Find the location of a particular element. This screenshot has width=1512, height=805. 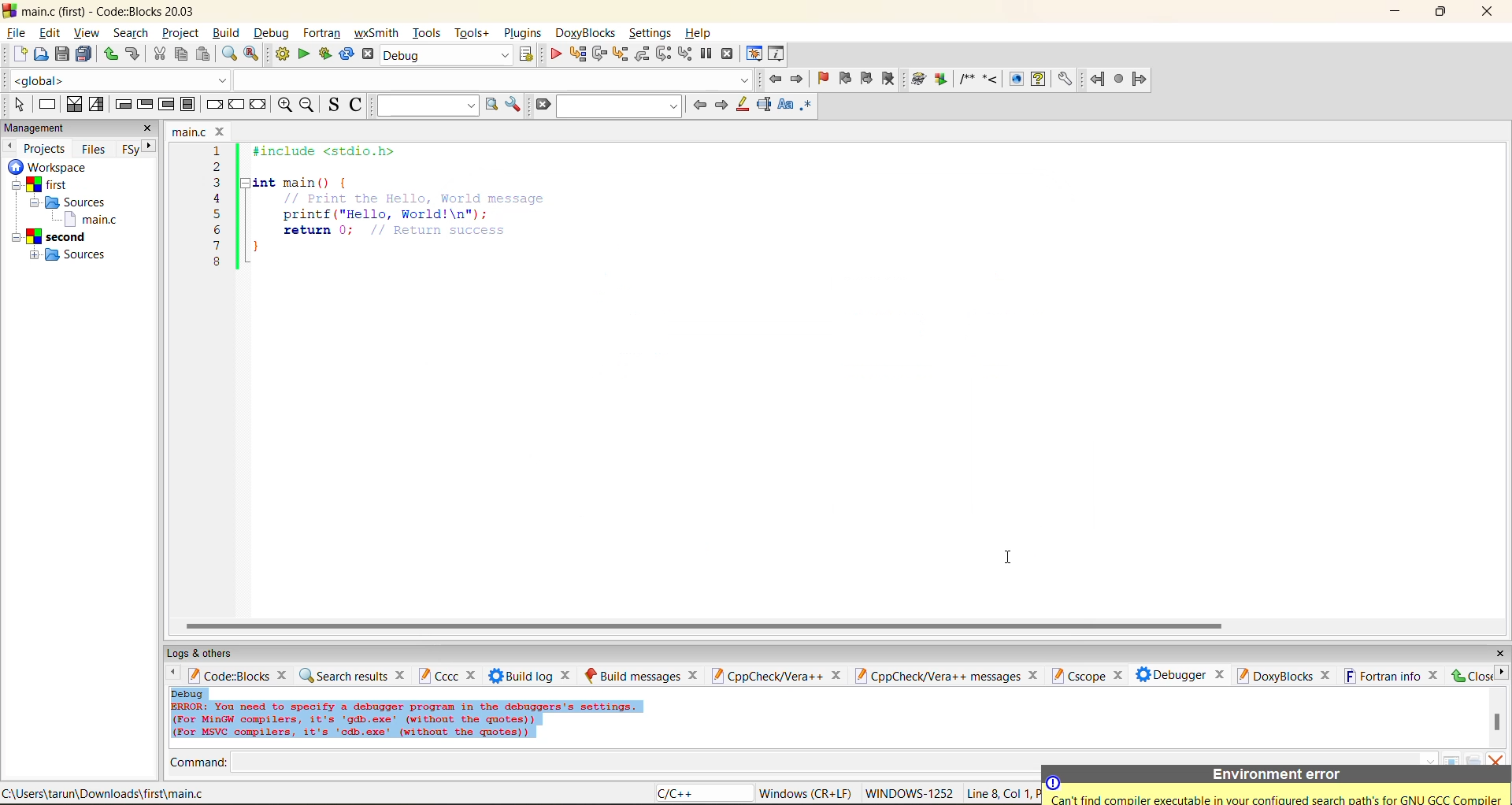

stop debugger is located at coordinates (728, 54).